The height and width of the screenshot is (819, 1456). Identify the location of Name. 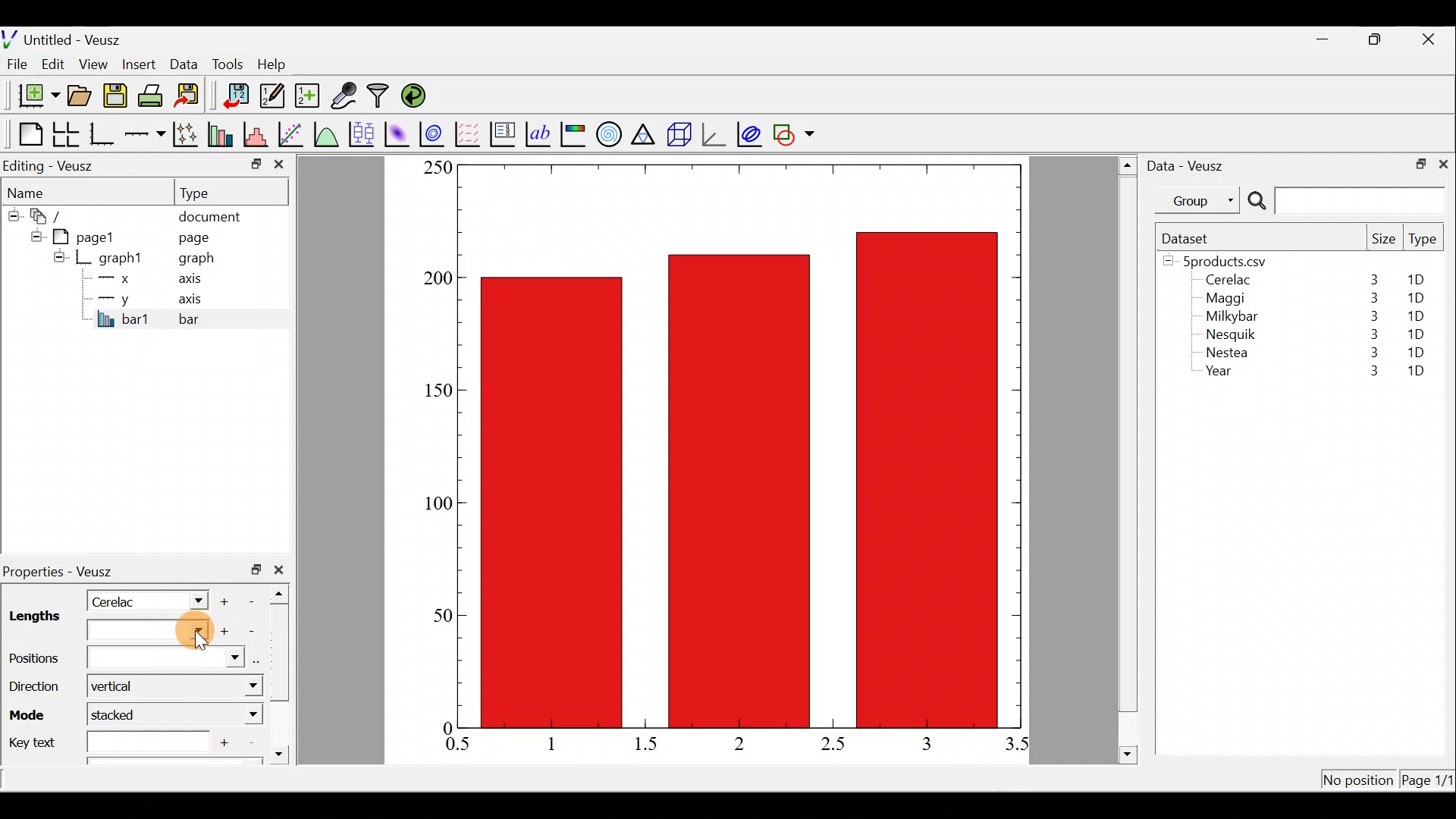
(35, 190).